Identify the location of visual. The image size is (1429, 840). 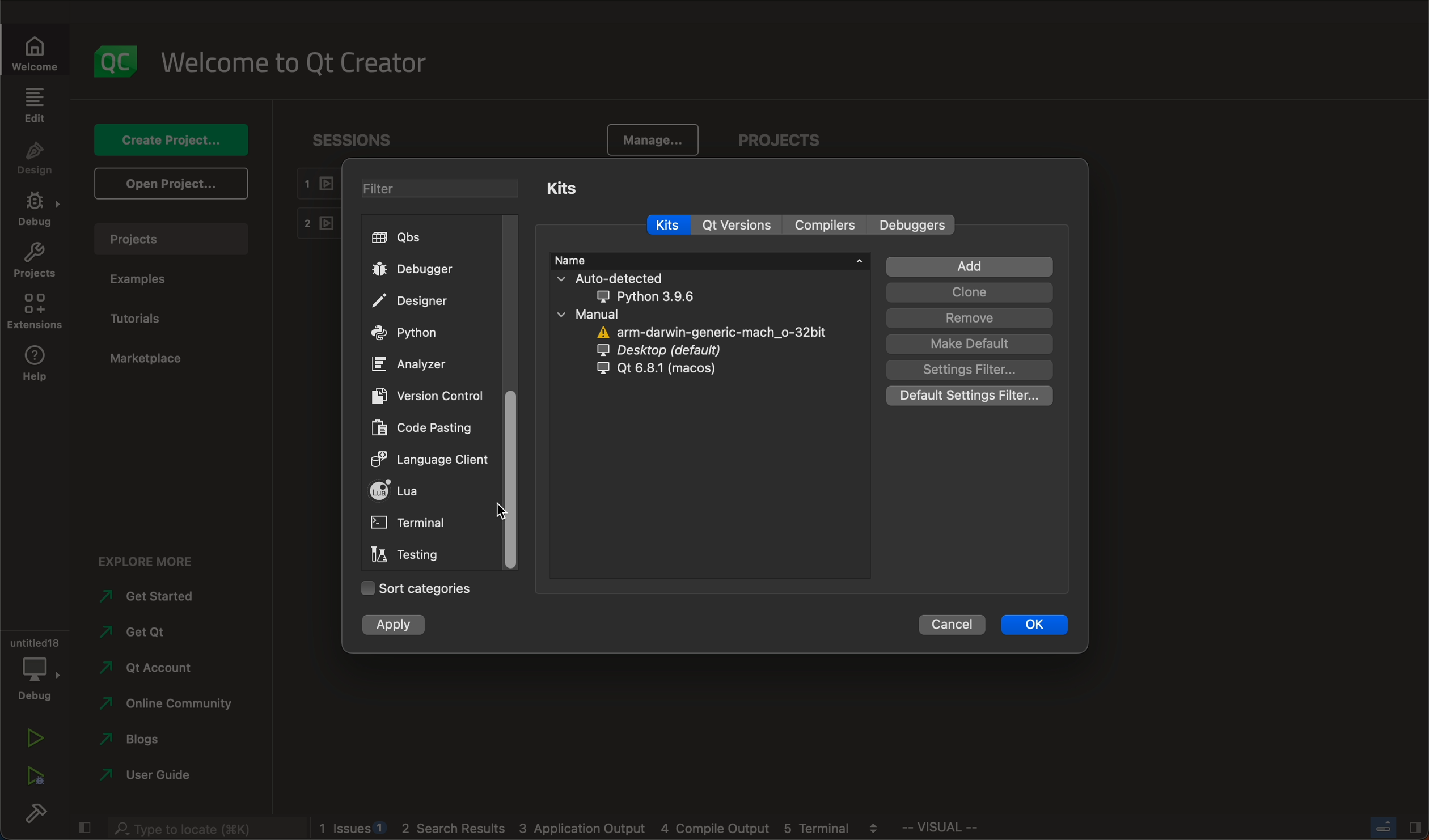
(980, 830).